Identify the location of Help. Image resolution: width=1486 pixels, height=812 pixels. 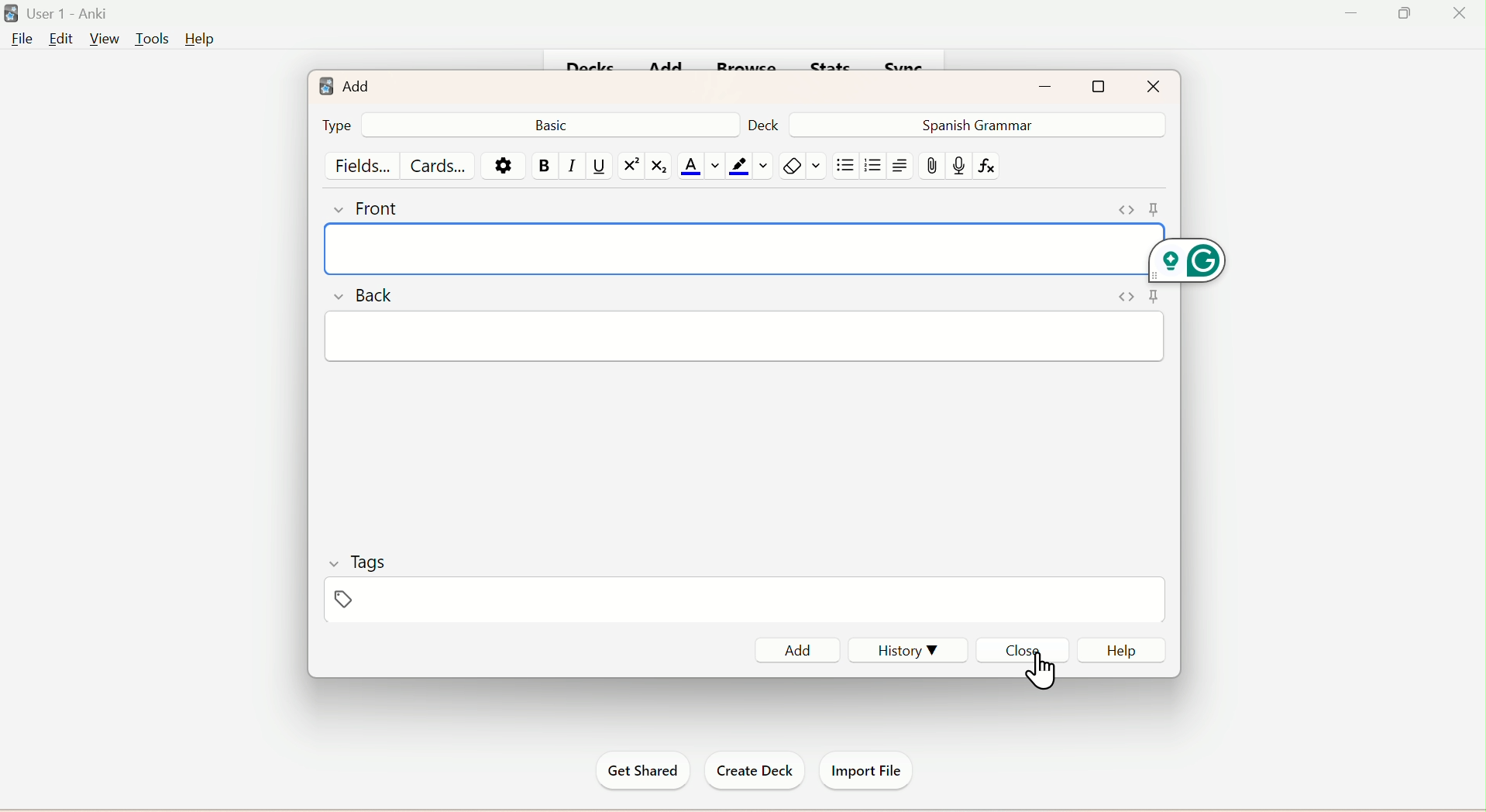
(1120, 650).